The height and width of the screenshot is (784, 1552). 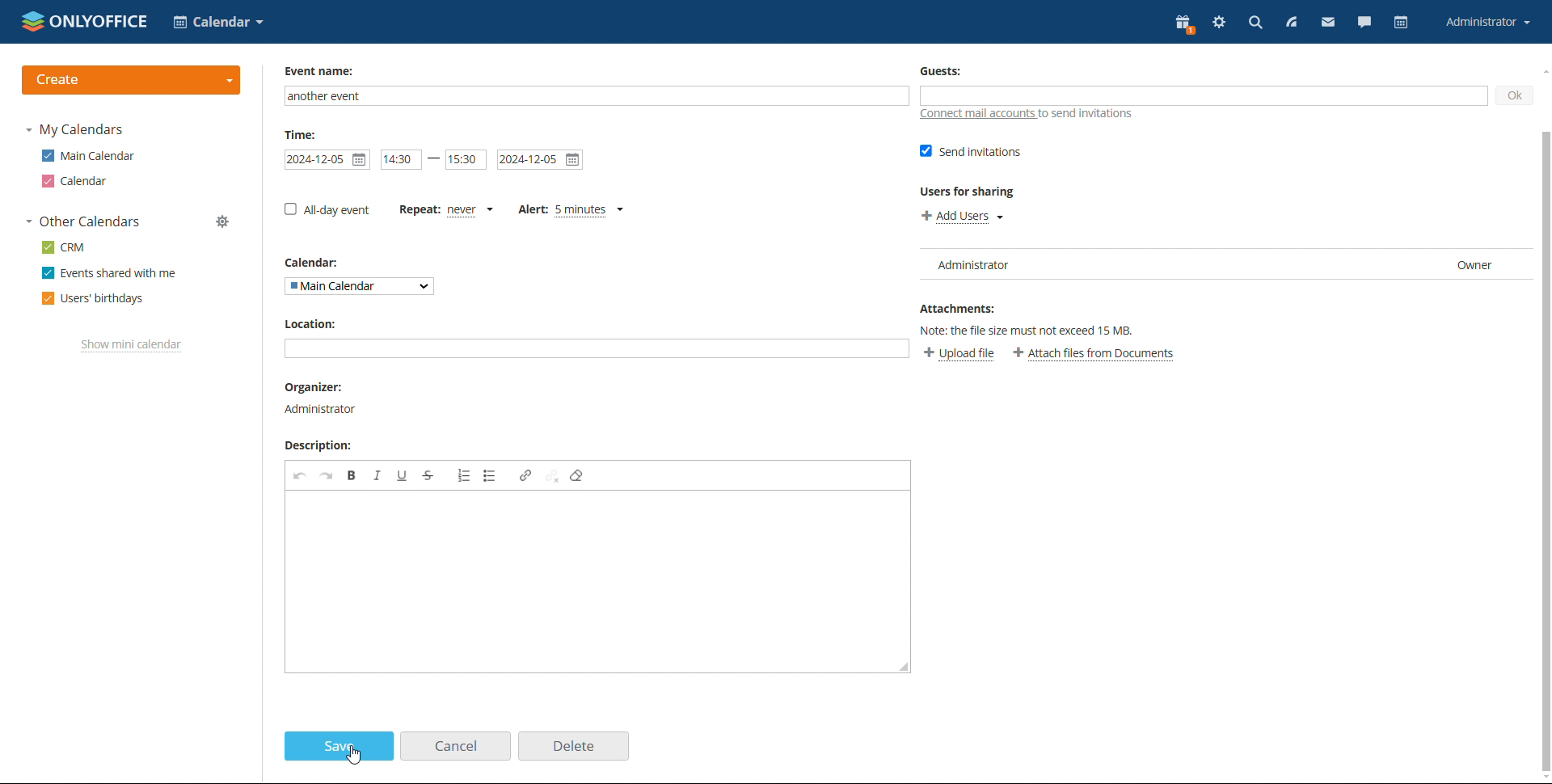 What do you see at coordinates (323, 409) in the screenshot?
I see `Administrator` at bounding box center [323, 409].